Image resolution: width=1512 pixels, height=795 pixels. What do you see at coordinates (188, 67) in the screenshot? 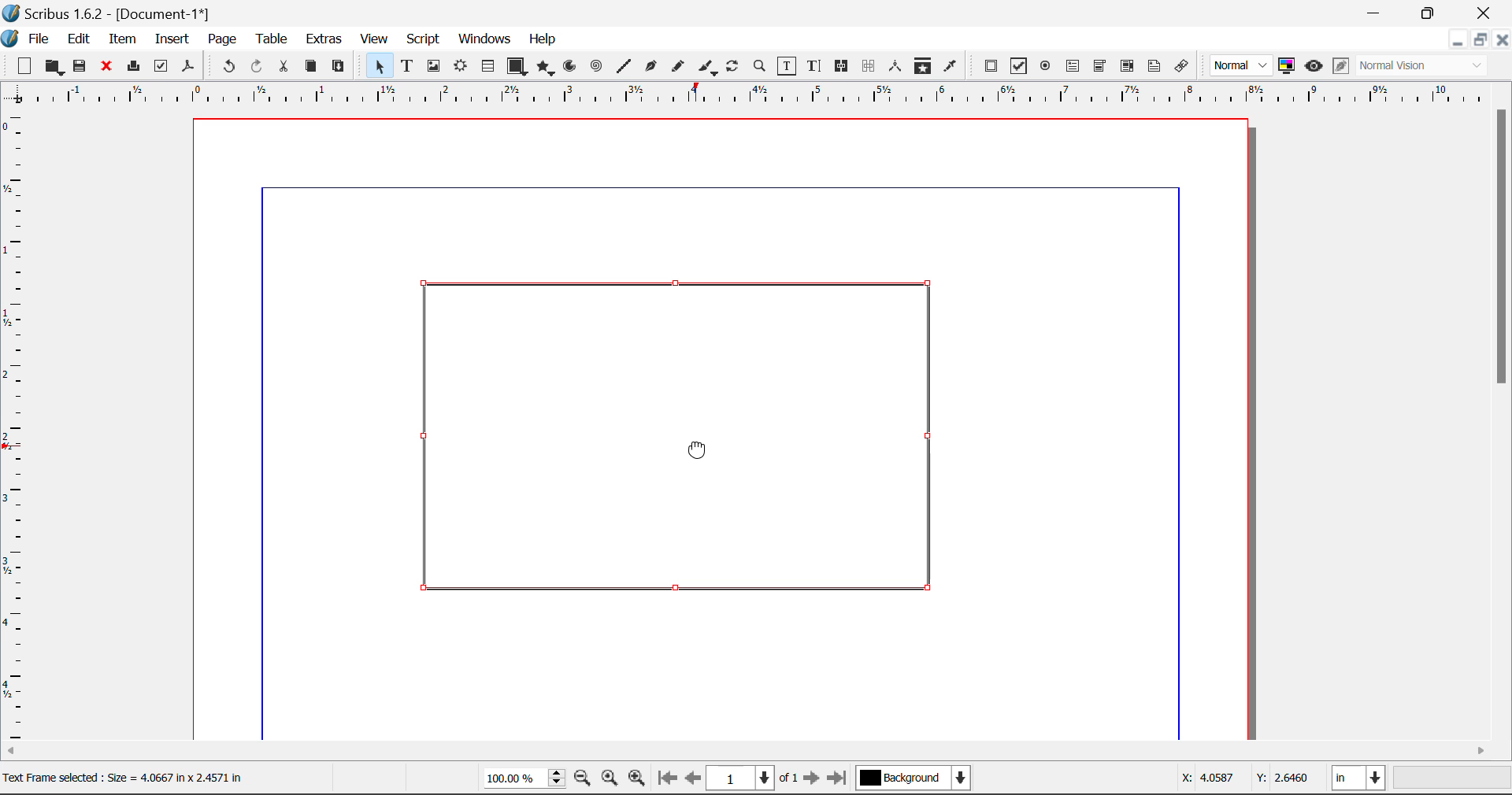
I see `Save as Pdf` at bounding box center [188, 67].